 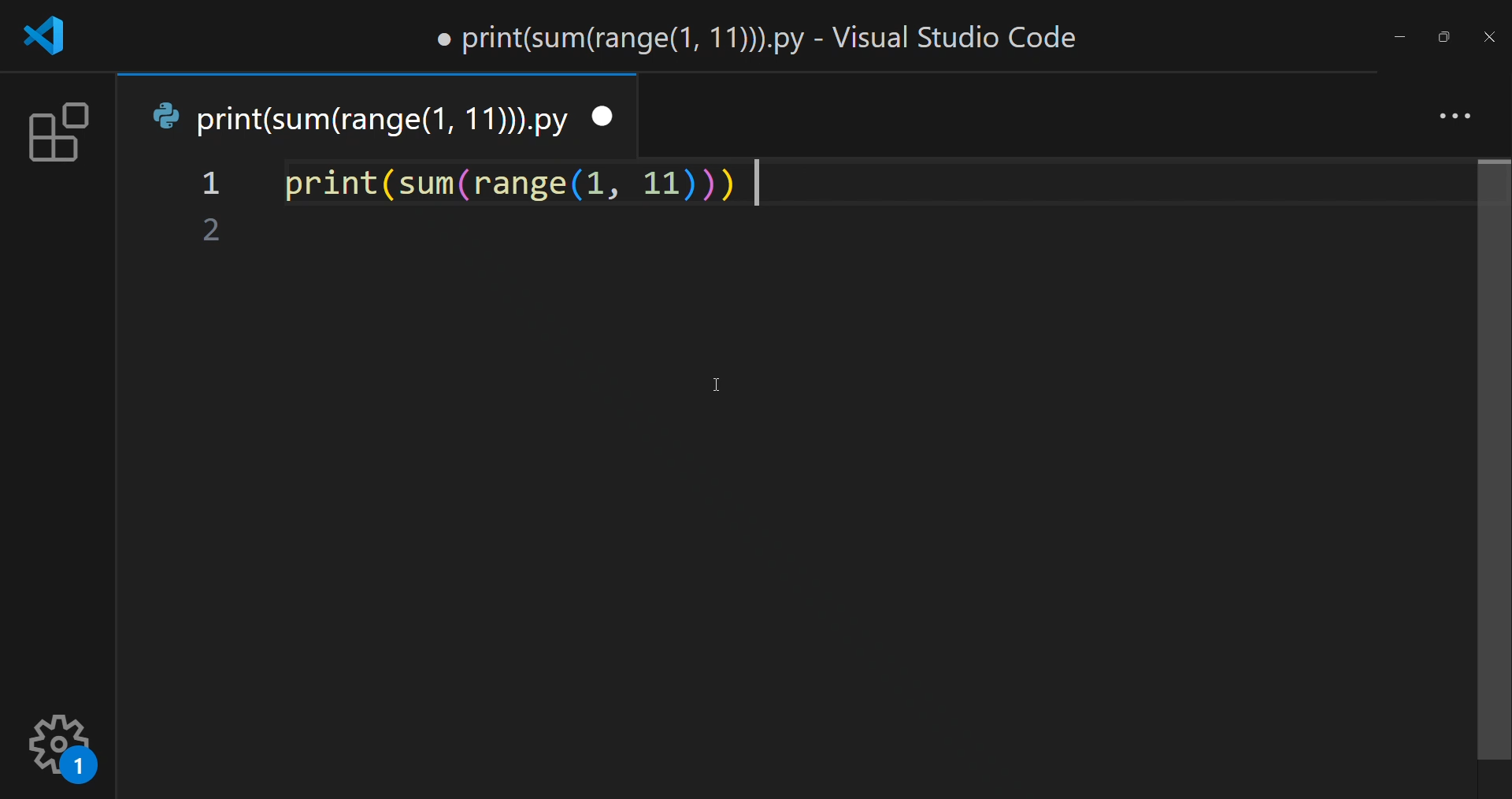 I want to click on print(sum(range(1, 11))).py - Visual Studio Code, so click(x=762, y=36).